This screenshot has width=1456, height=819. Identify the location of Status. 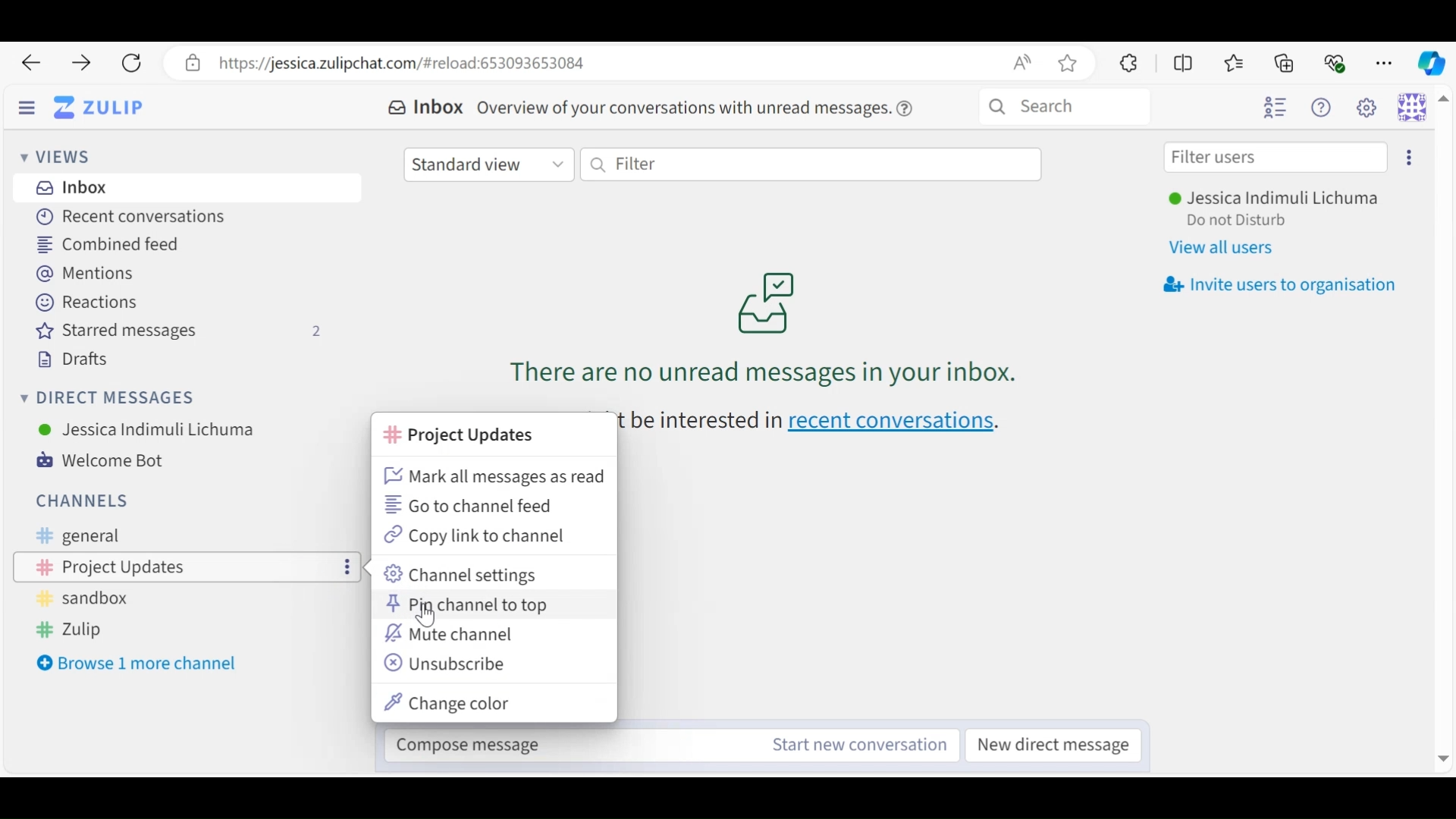
(1238, 221).